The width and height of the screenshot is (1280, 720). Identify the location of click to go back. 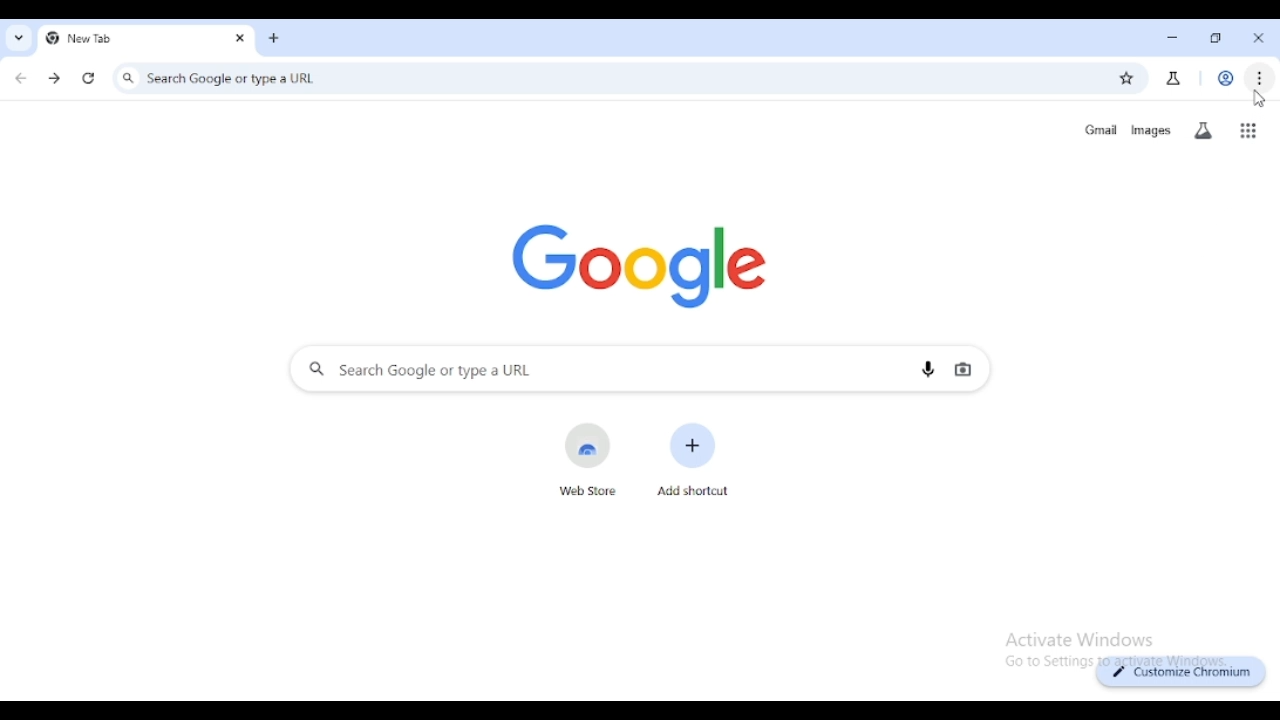
(20, 77).